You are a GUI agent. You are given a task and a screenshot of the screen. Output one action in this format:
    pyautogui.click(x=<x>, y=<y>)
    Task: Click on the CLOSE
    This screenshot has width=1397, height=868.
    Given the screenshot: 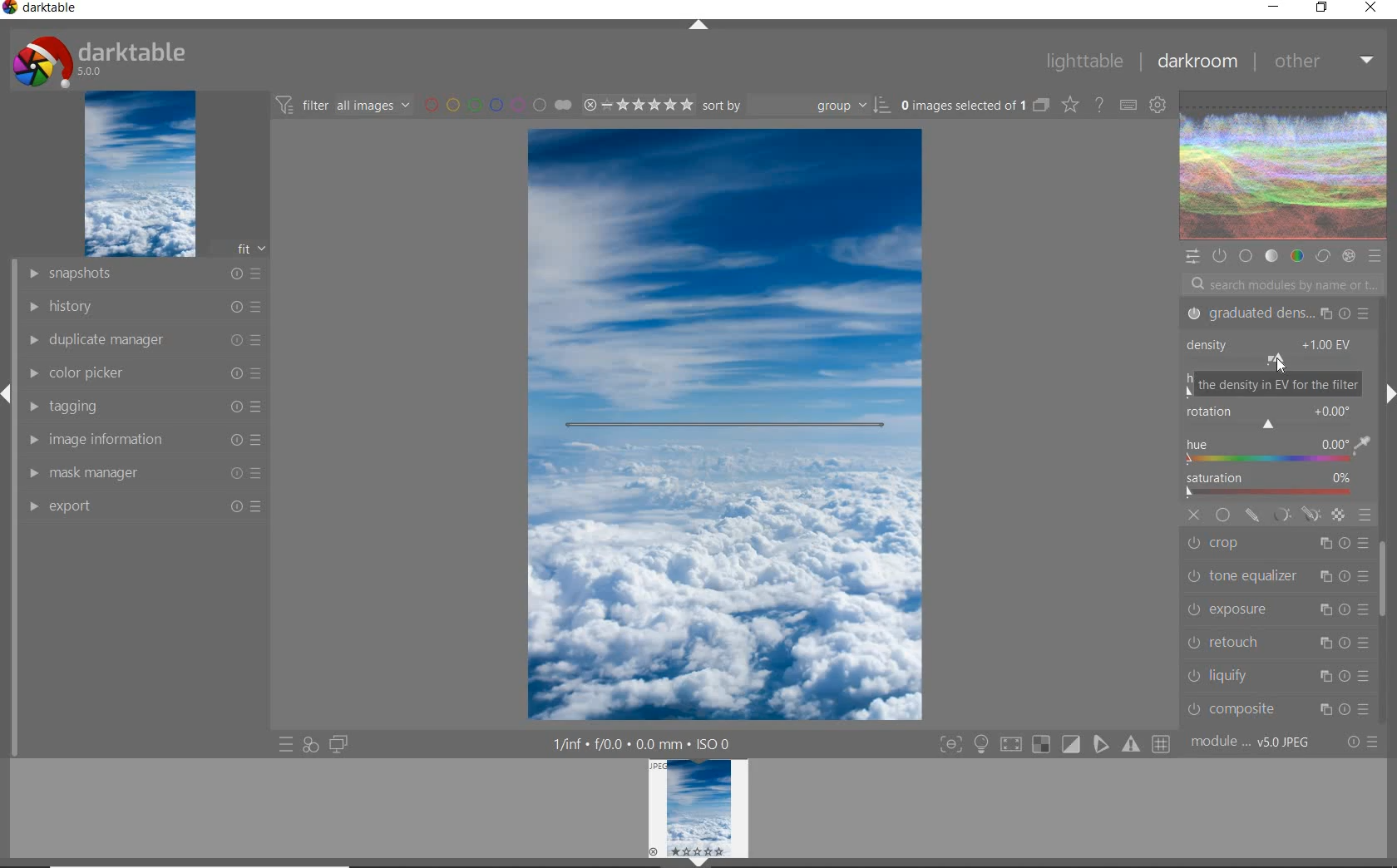 What is the action you would take?
    pyautogui.click(x=1195, y=515)
    